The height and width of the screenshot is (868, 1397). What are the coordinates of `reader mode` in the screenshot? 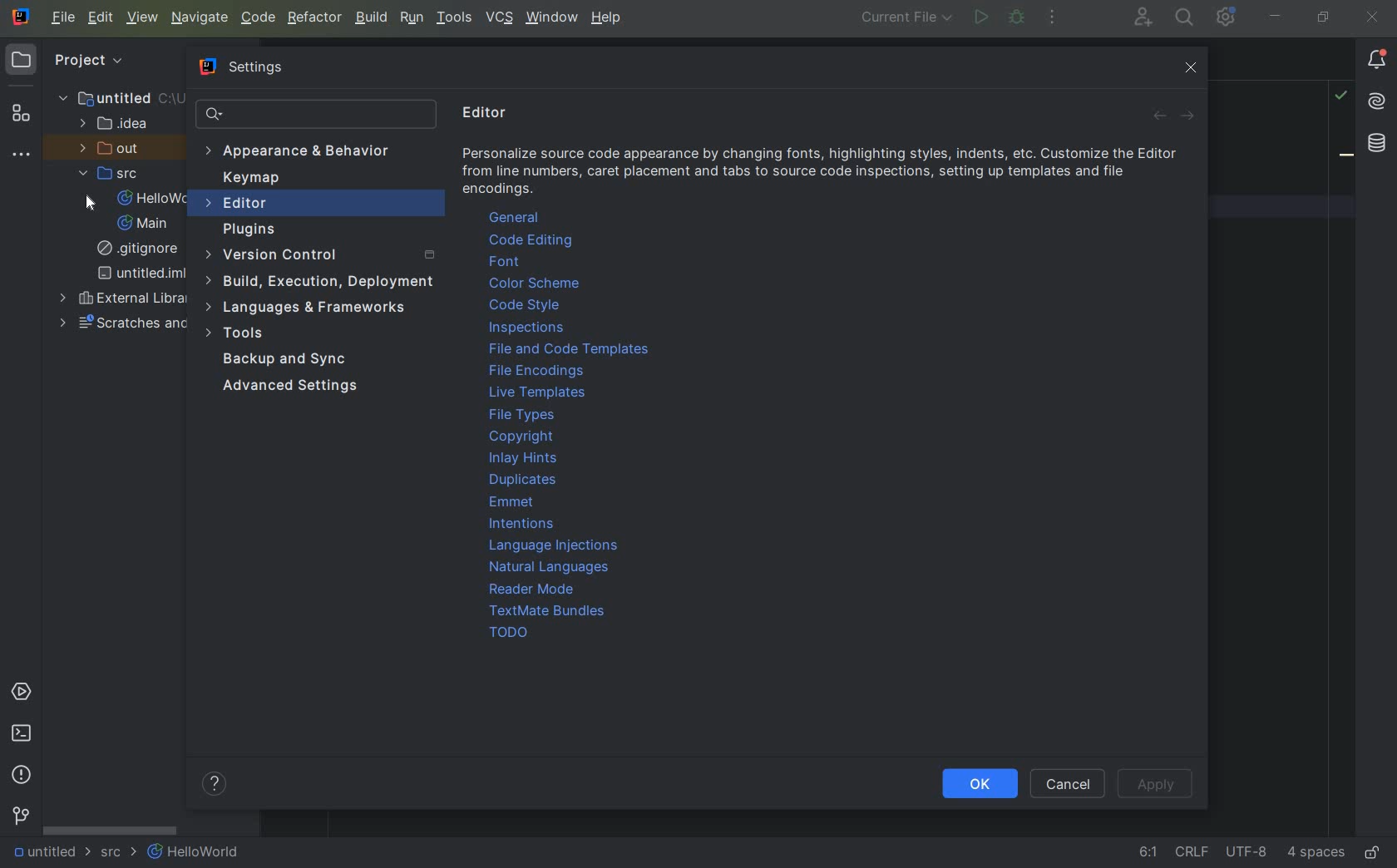 It's located at (535, 590).